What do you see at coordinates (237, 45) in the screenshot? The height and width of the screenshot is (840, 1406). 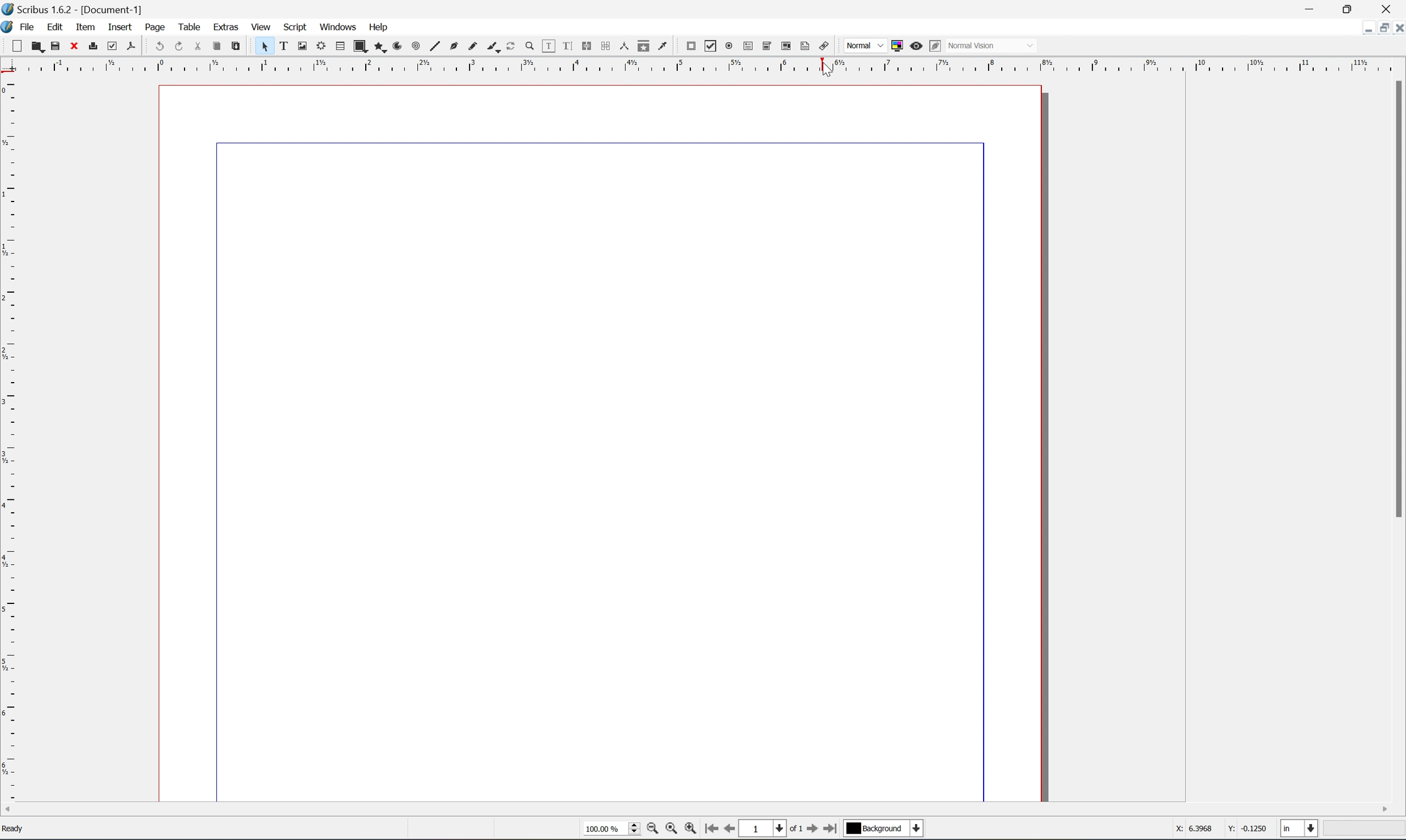 I see `paste` at bounding box center [237, 45].